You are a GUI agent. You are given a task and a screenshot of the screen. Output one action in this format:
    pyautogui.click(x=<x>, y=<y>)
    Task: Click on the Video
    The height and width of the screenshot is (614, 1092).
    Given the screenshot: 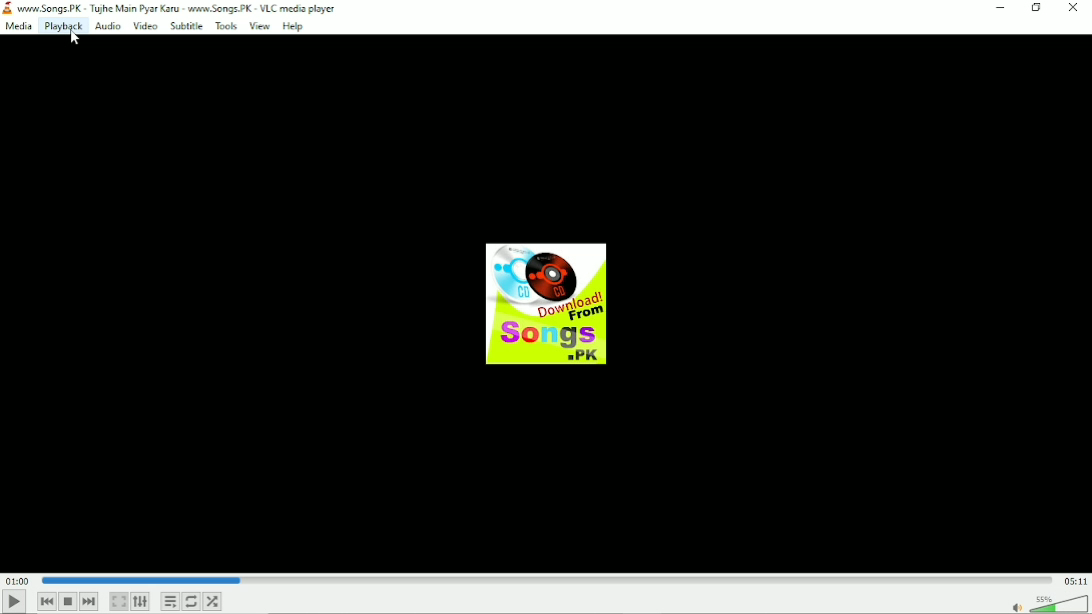 What is the action you would take?
    pyautogui.click(x=145, y=26)
    